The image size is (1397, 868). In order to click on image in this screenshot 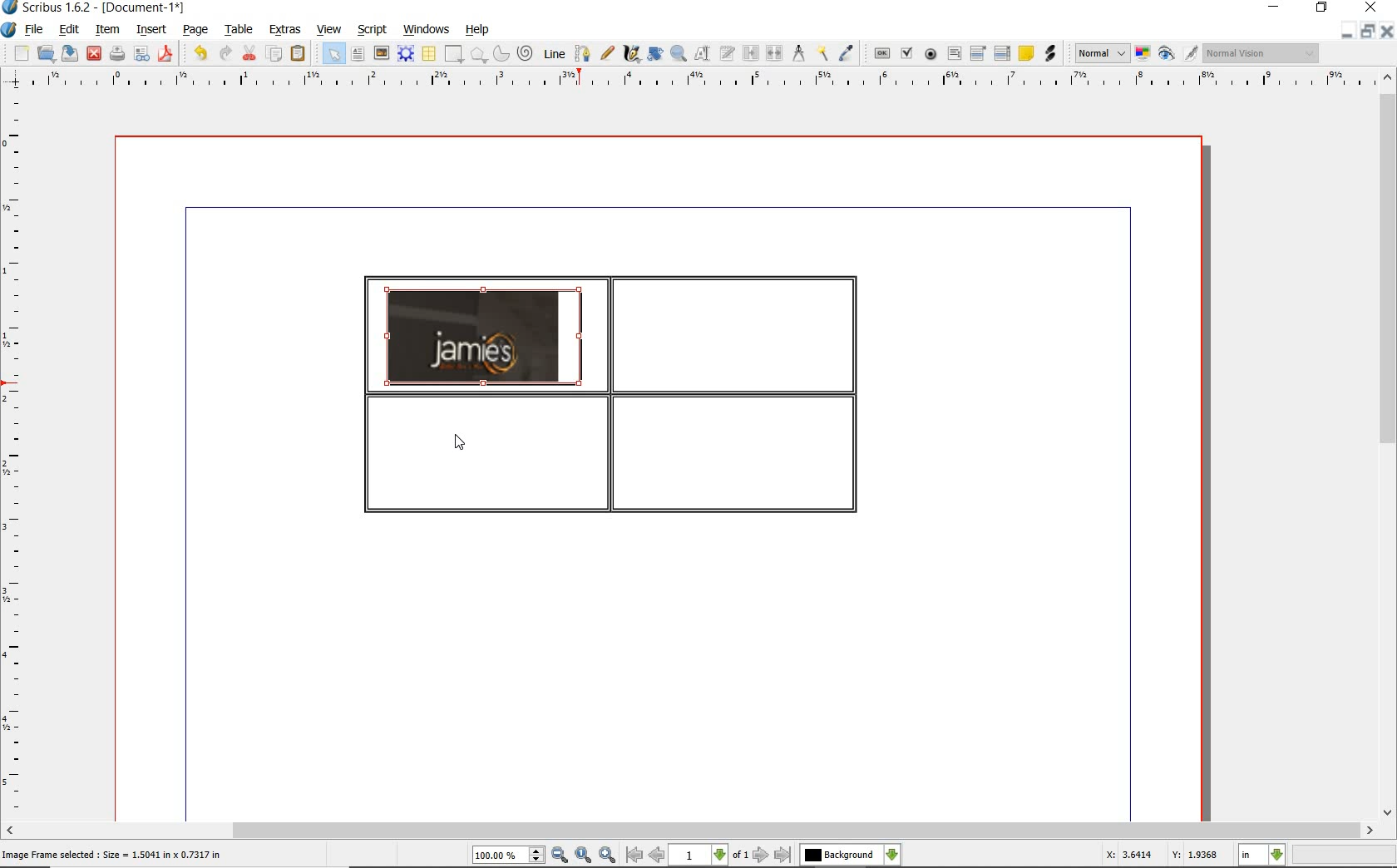, I will do `click(382, 54)`.